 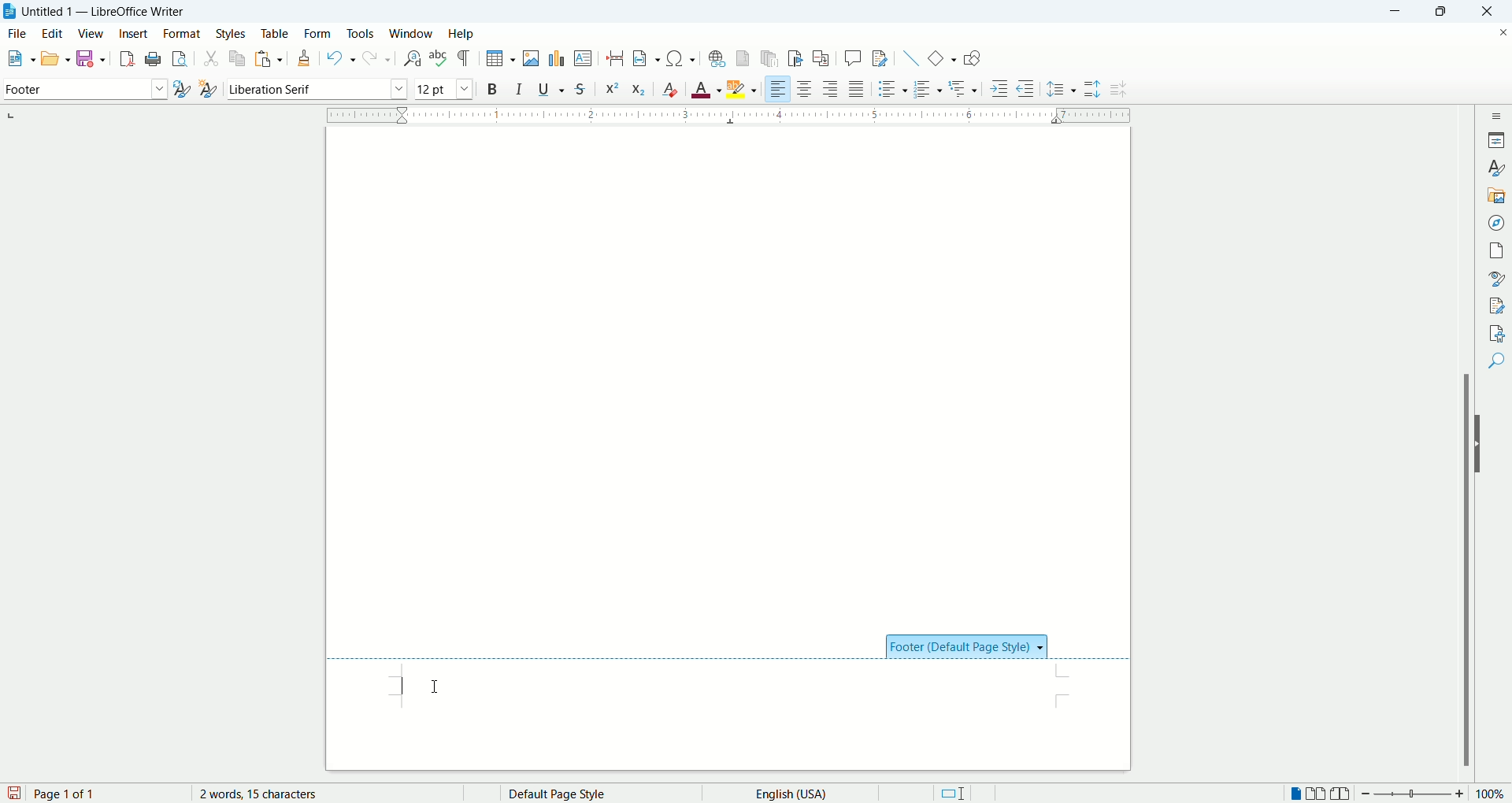 I want to click on open, so click(x=54, y=57).